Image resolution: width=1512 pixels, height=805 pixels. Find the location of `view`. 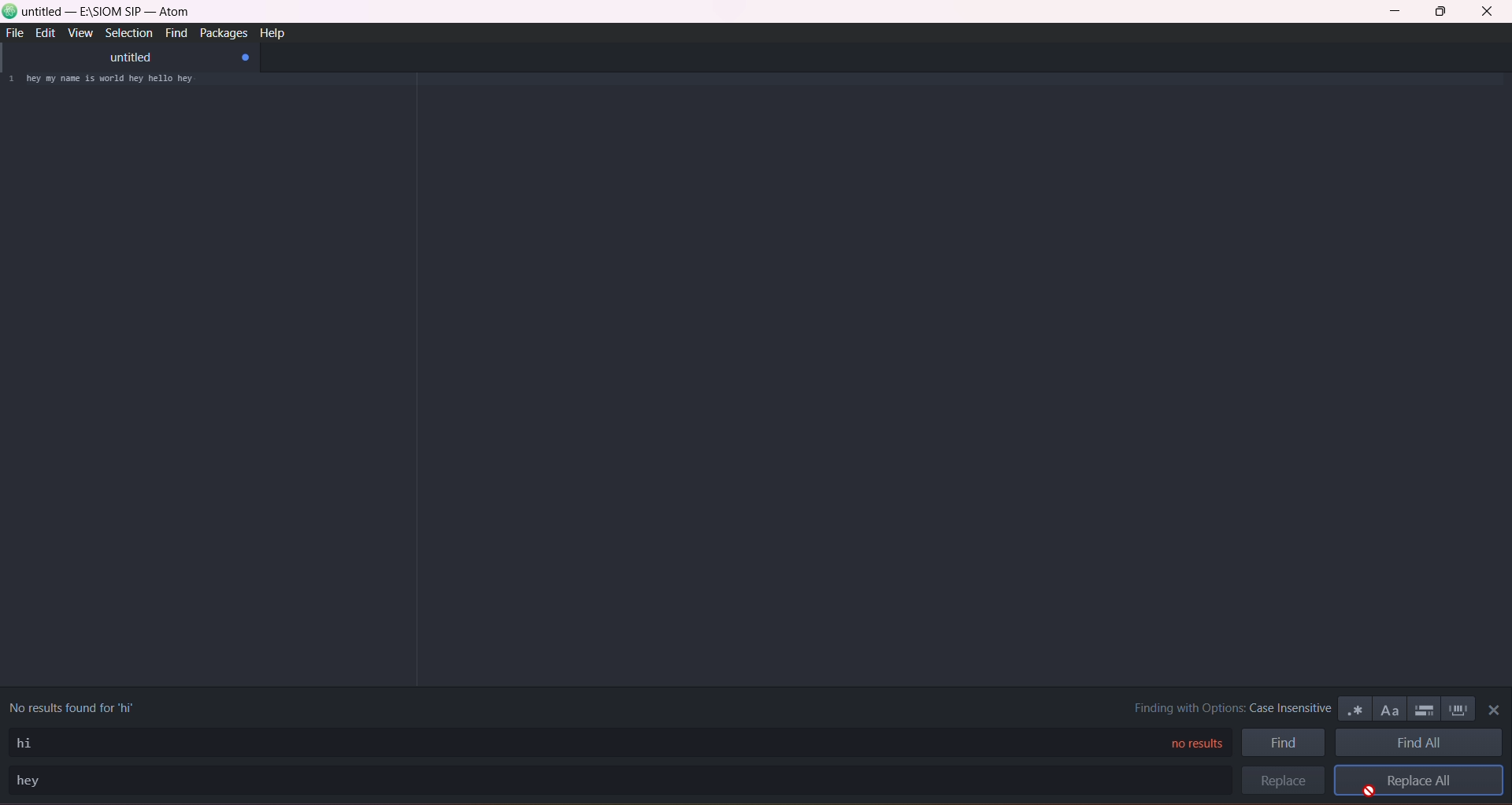

view is located at coordinates (80, 34).